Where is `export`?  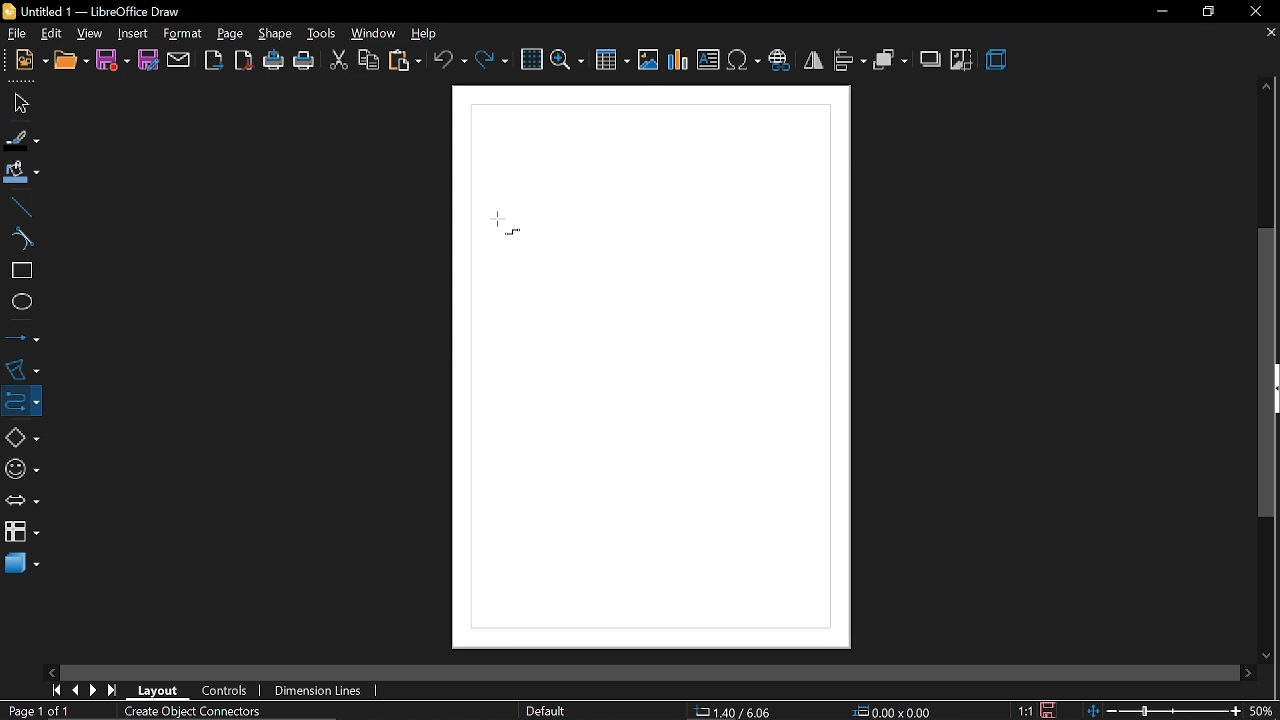
export is located at coordinates (214, 61).